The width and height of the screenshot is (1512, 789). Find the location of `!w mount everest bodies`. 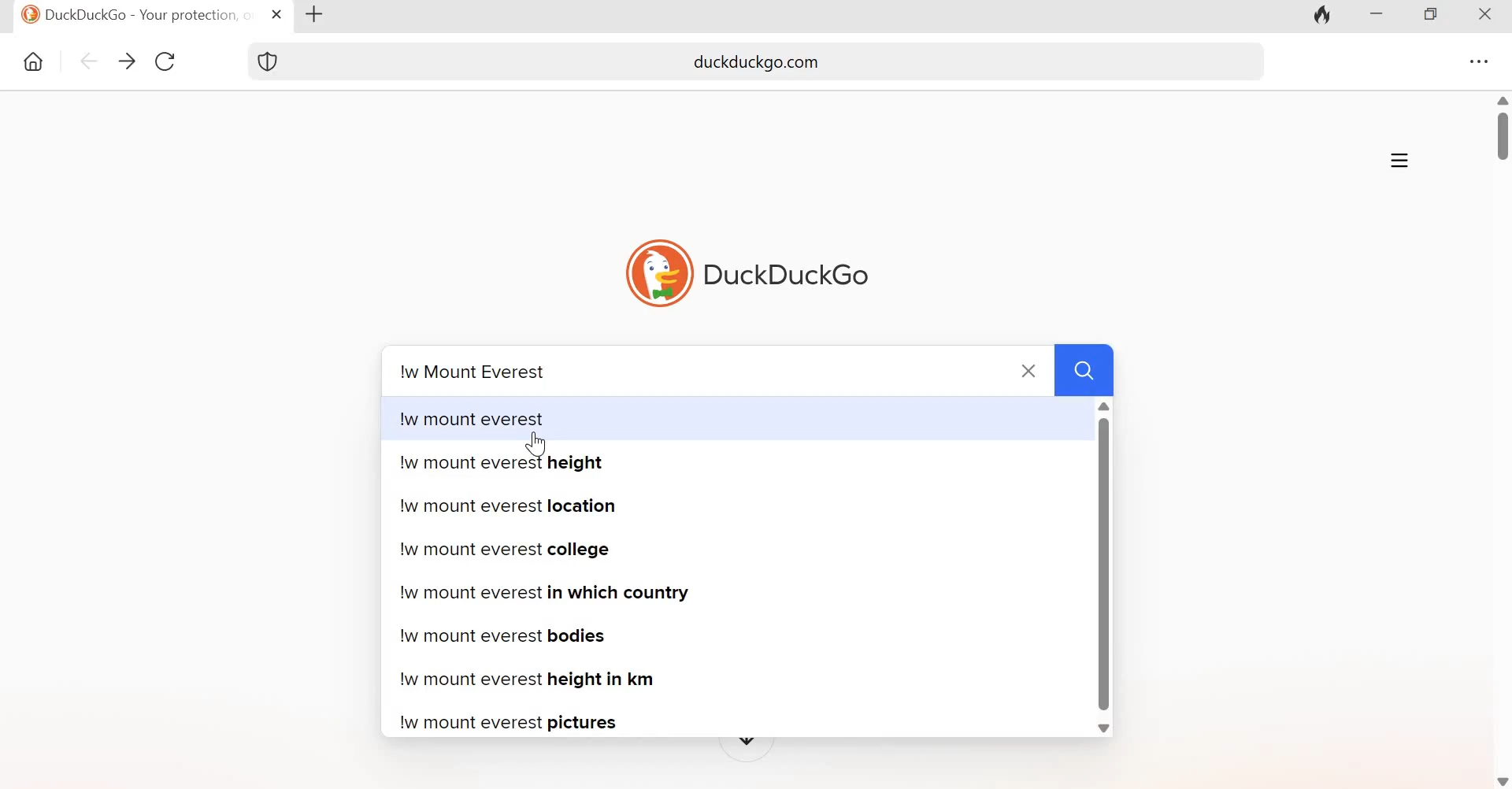

!w mount everest bodies is located at coordinates (514, 635).